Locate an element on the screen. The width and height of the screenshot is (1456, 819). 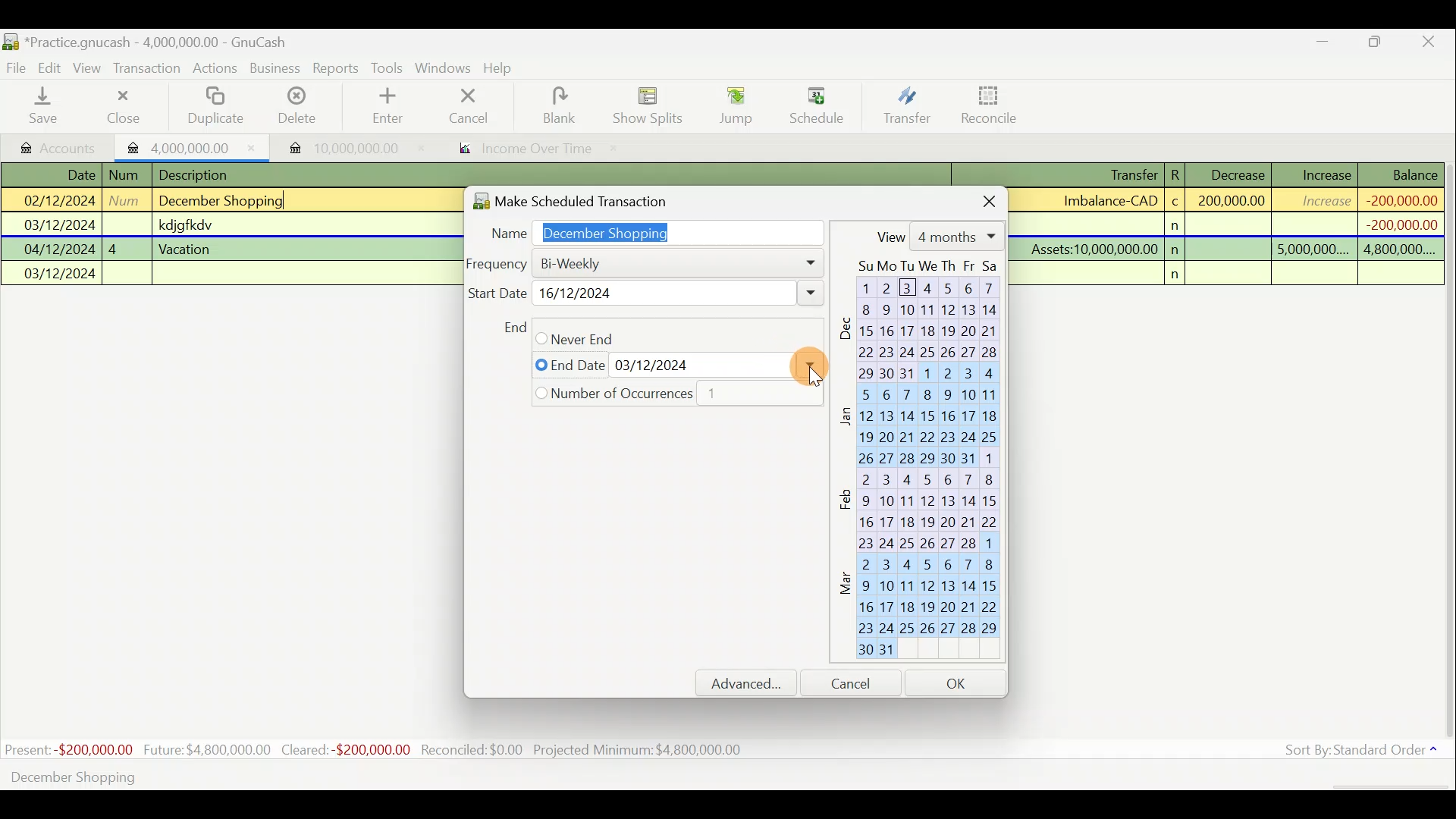
Close is located at coordinates (1429, 44).